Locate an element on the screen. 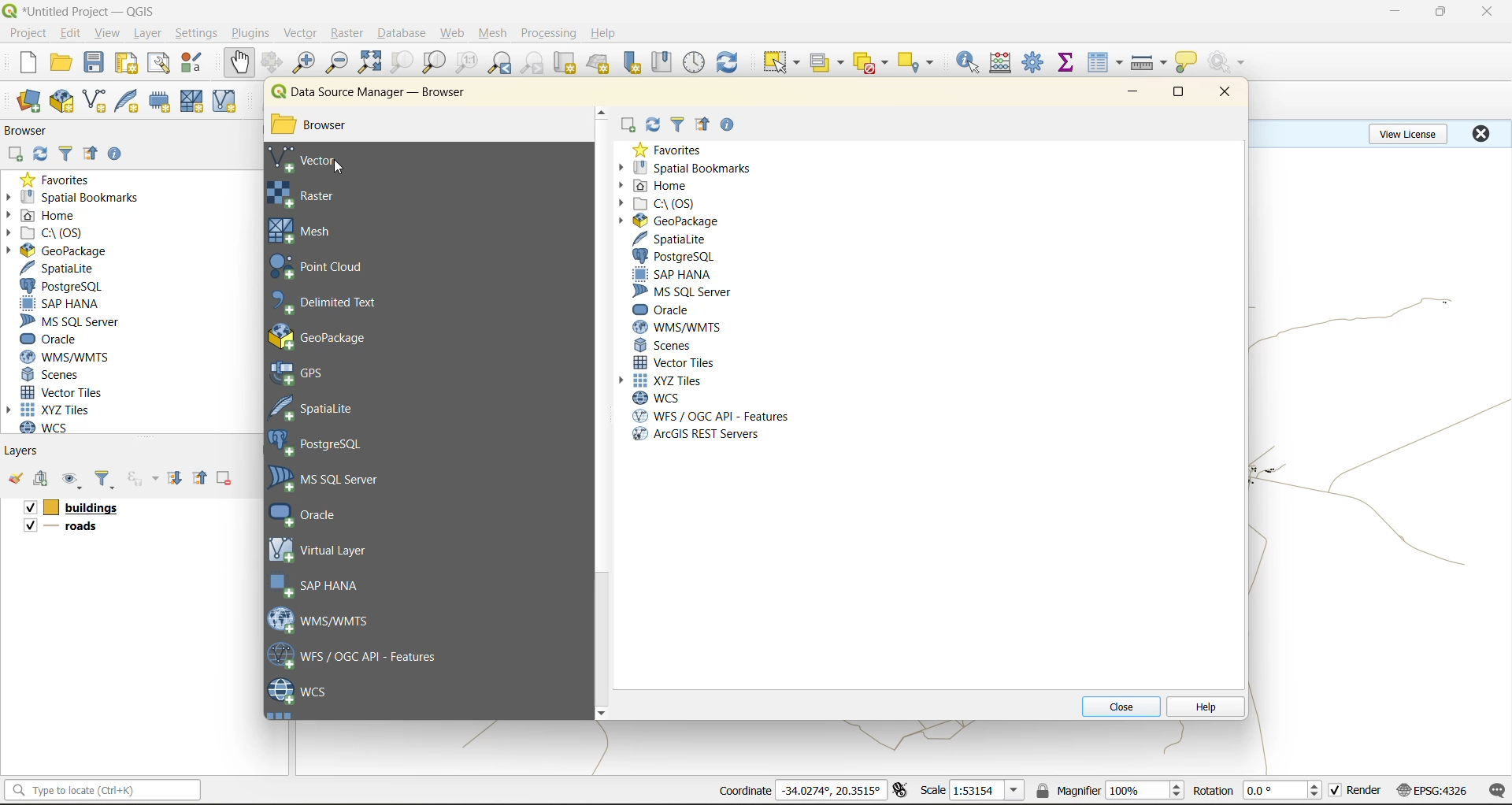 Image resolution: width=1512 pixels, height=805 pixels. layer is located at coordinates (145, 34).